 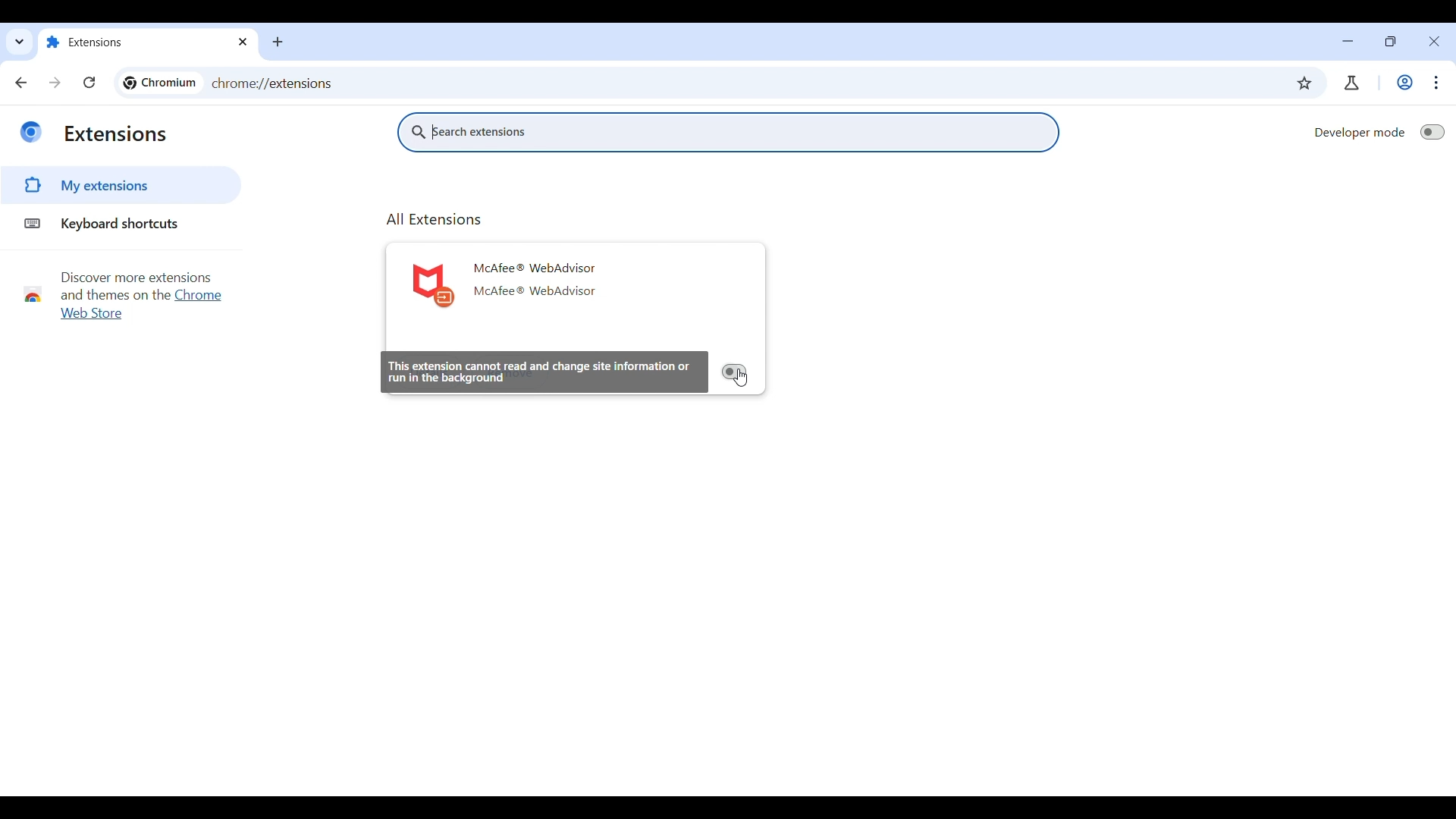 What do you see at coordinates (96, 313) in the screenshot?
I see `web store` at bounding box center [96, 313].